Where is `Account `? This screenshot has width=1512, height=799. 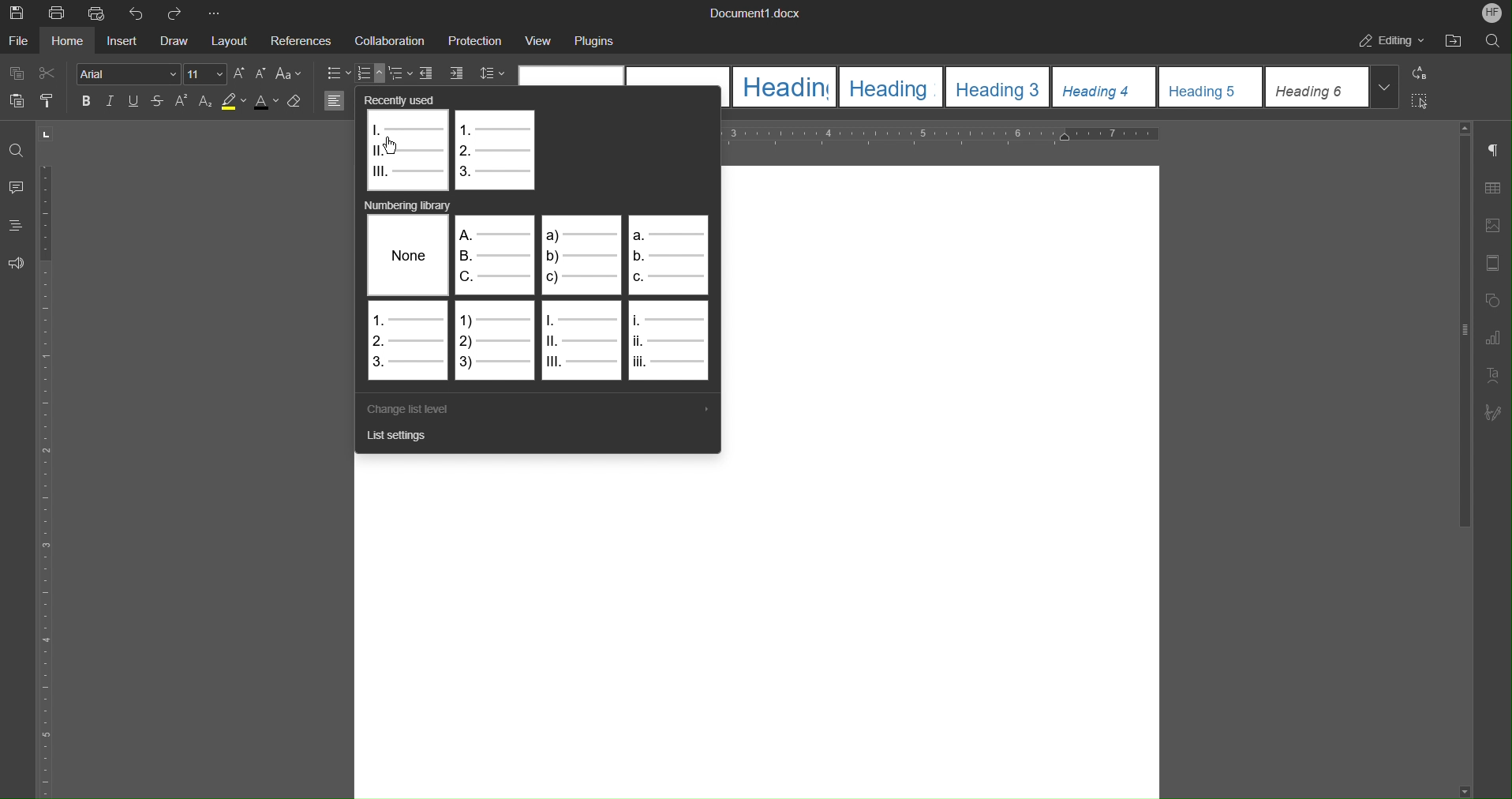
Account  is located at coordinates (1491, 14).